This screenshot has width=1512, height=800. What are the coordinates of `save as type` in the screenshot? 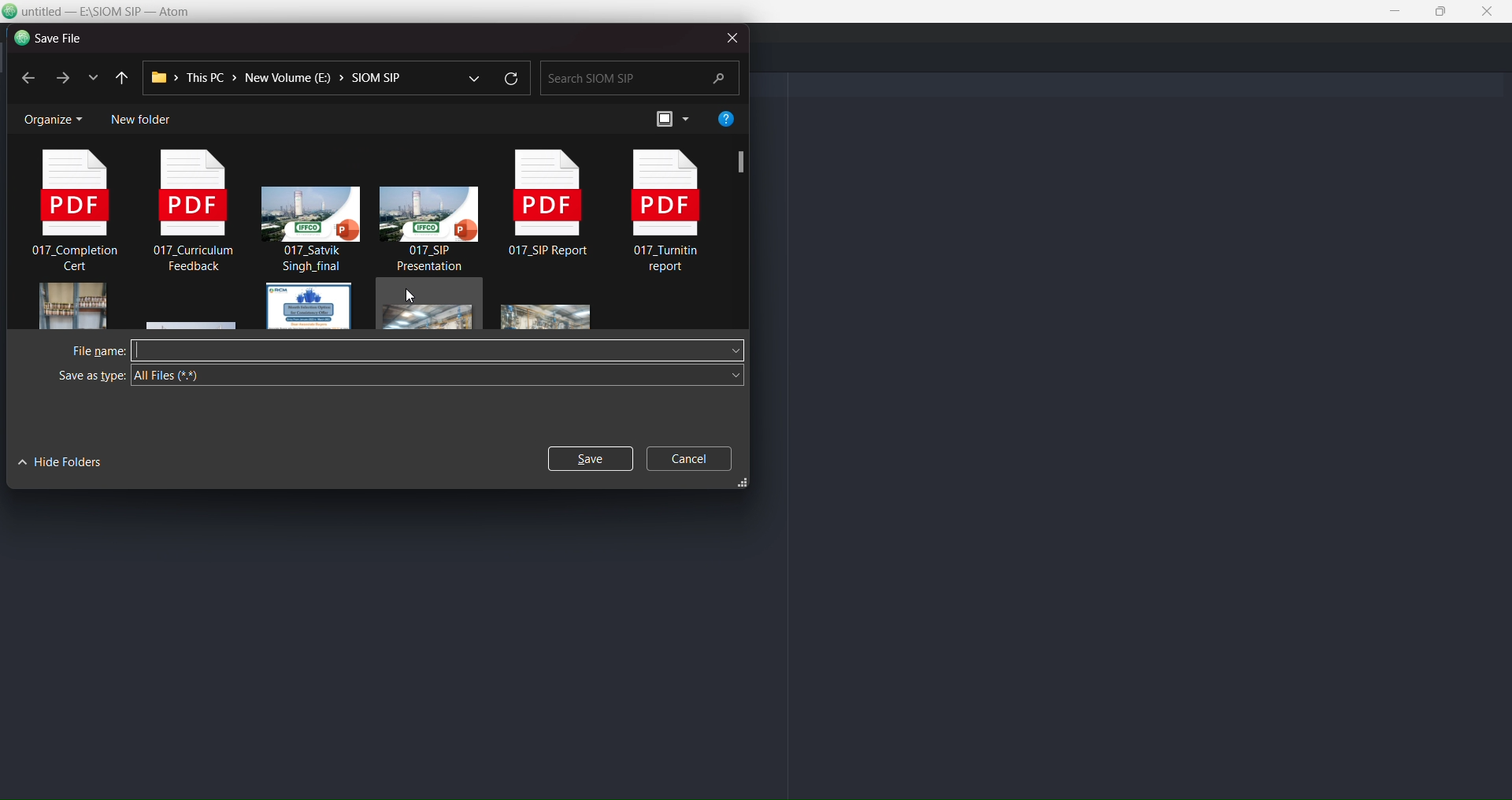 It's located at (733, 376).